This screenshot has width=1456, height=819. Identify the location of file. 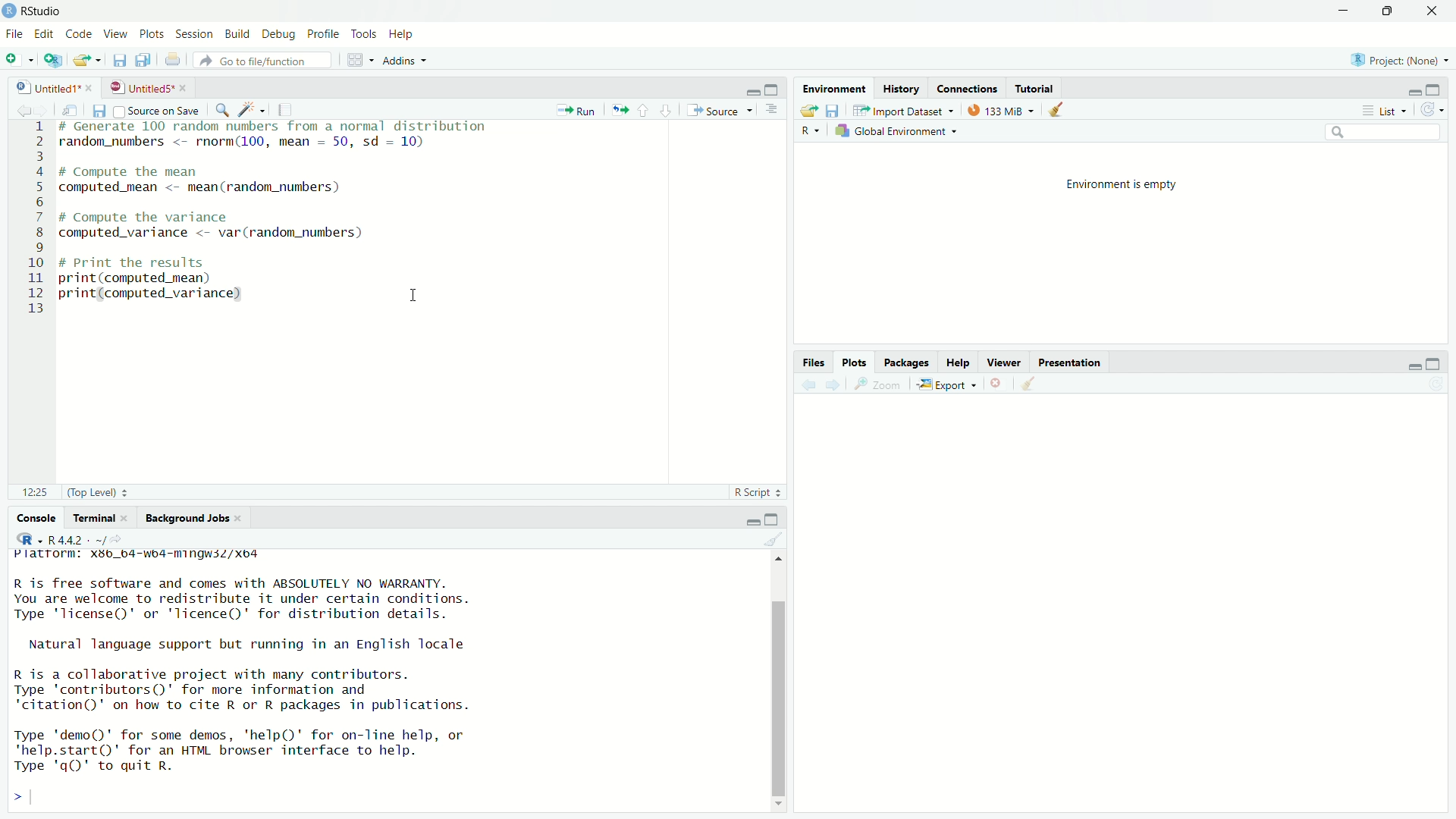
(14, 35).